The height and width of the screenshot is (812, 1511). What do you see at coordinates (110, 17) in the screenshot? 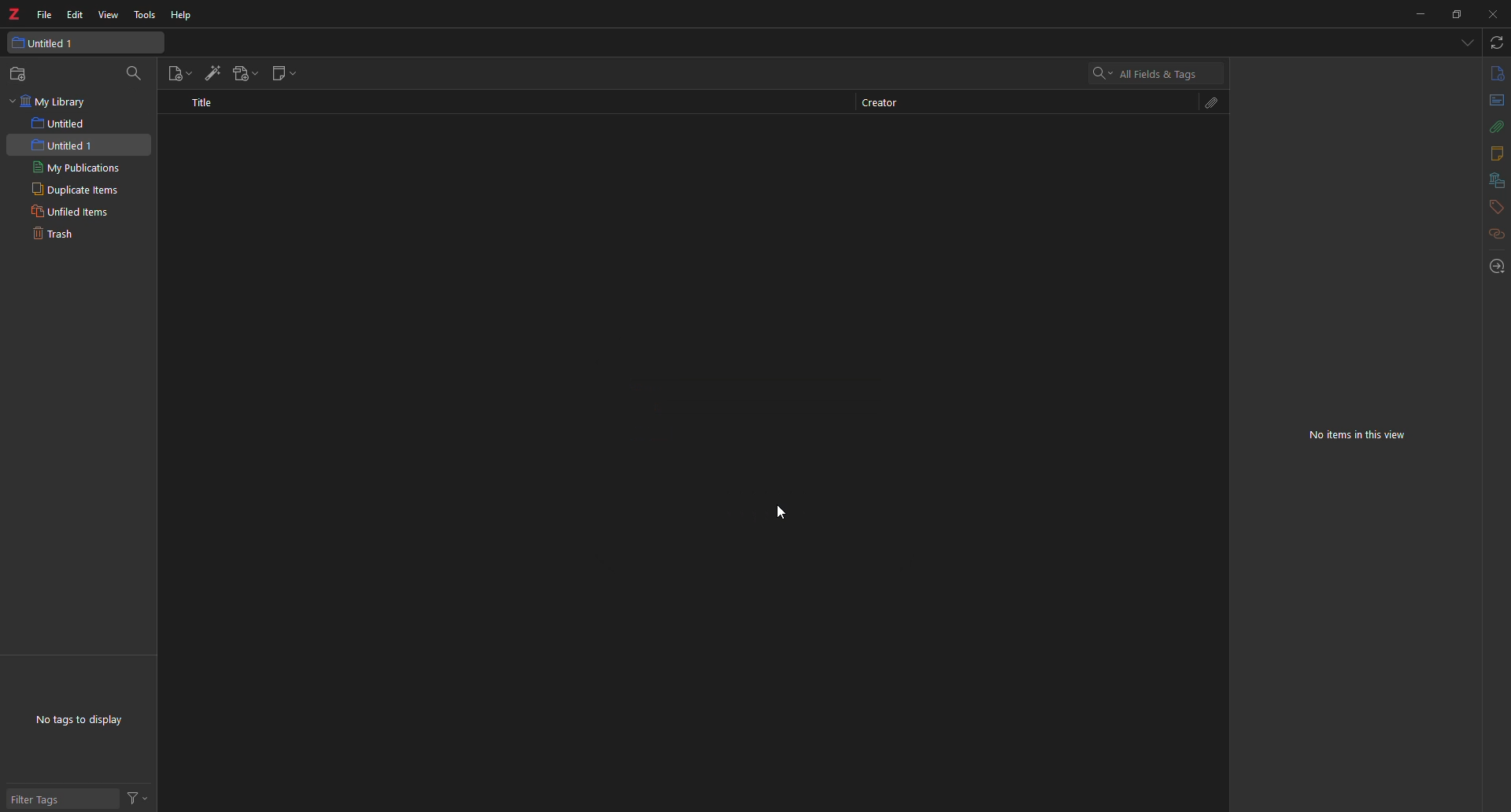
I see `view` at bounding box center [110, 17].